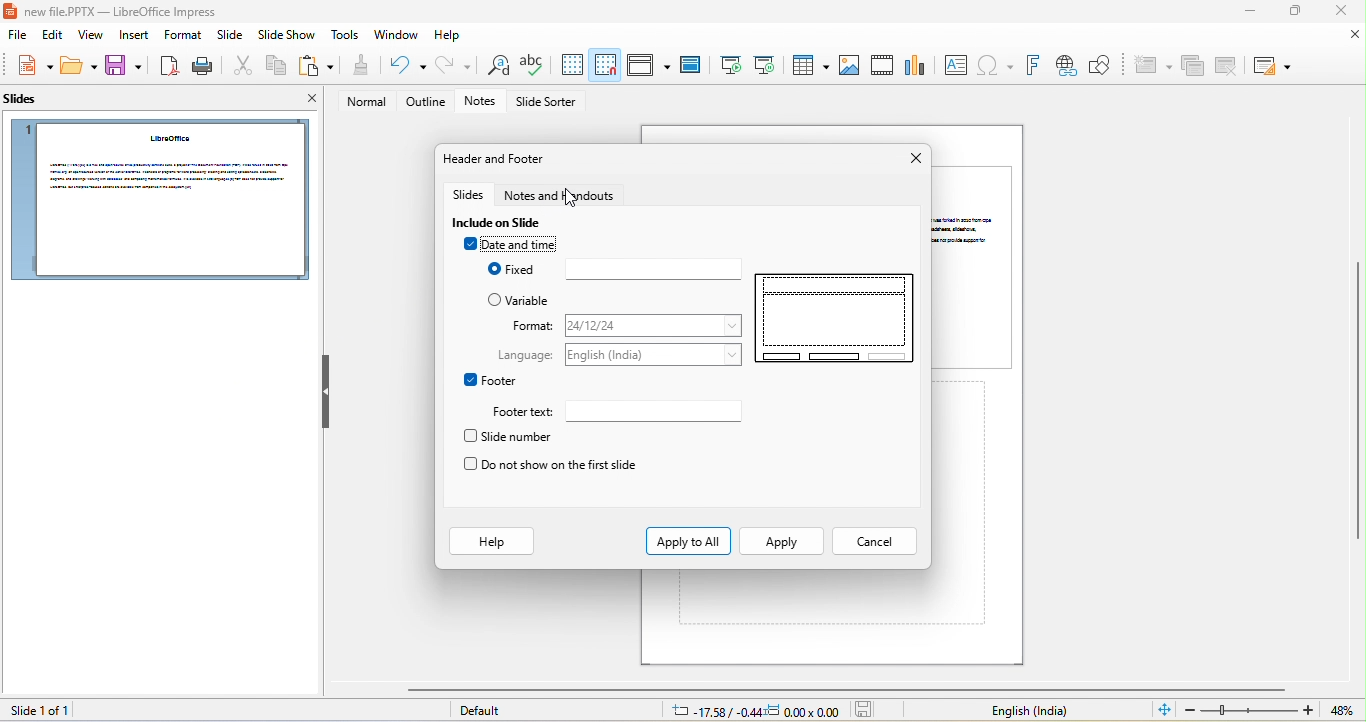 The width and height of the screenshot is (1366, 722). I want to click on slides, so click(28, 103).